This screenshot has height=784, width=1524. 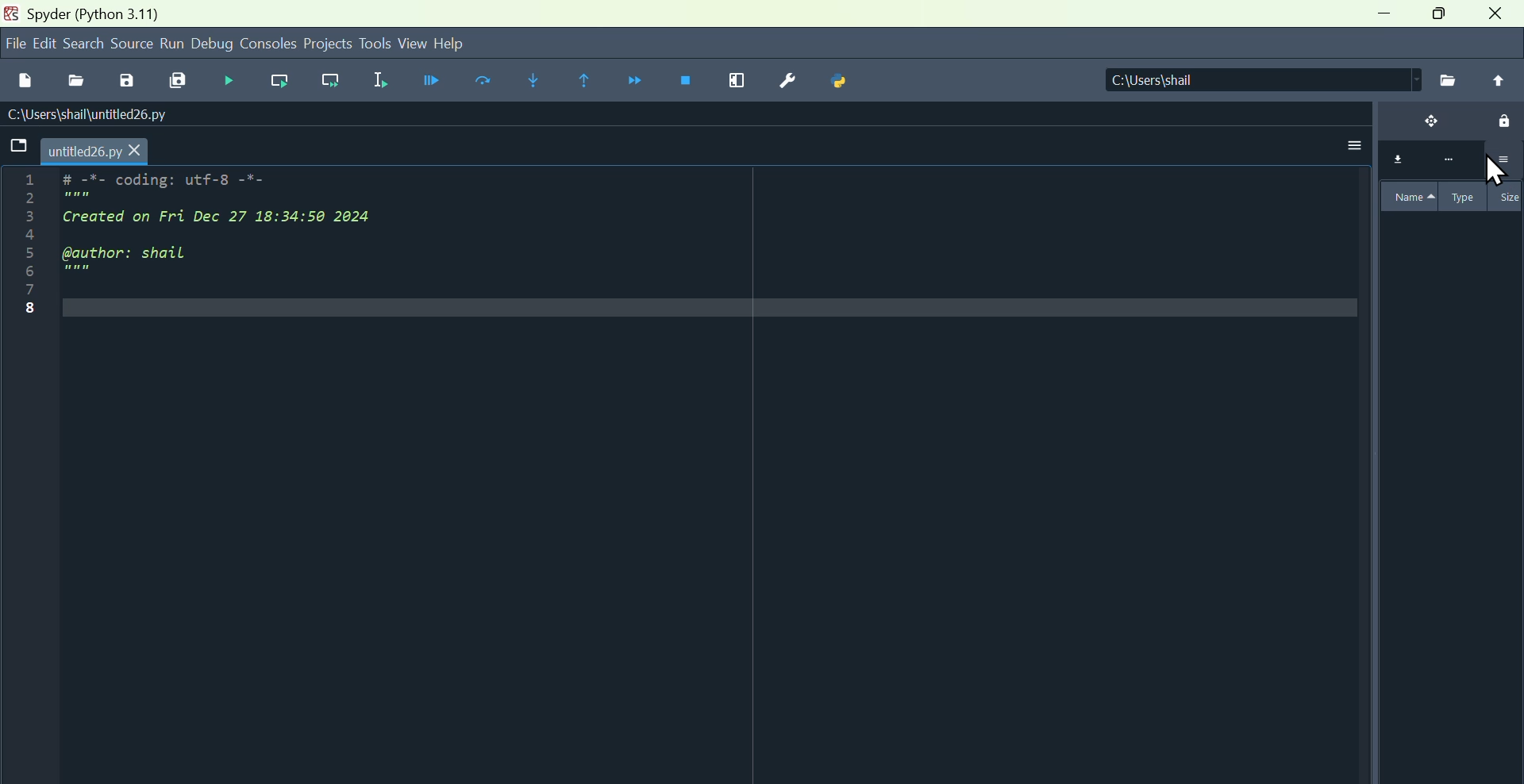 What do you see at coordinates (786, 81) in the screenshot?
I see `Preferences` at bounding box center [786, 81].